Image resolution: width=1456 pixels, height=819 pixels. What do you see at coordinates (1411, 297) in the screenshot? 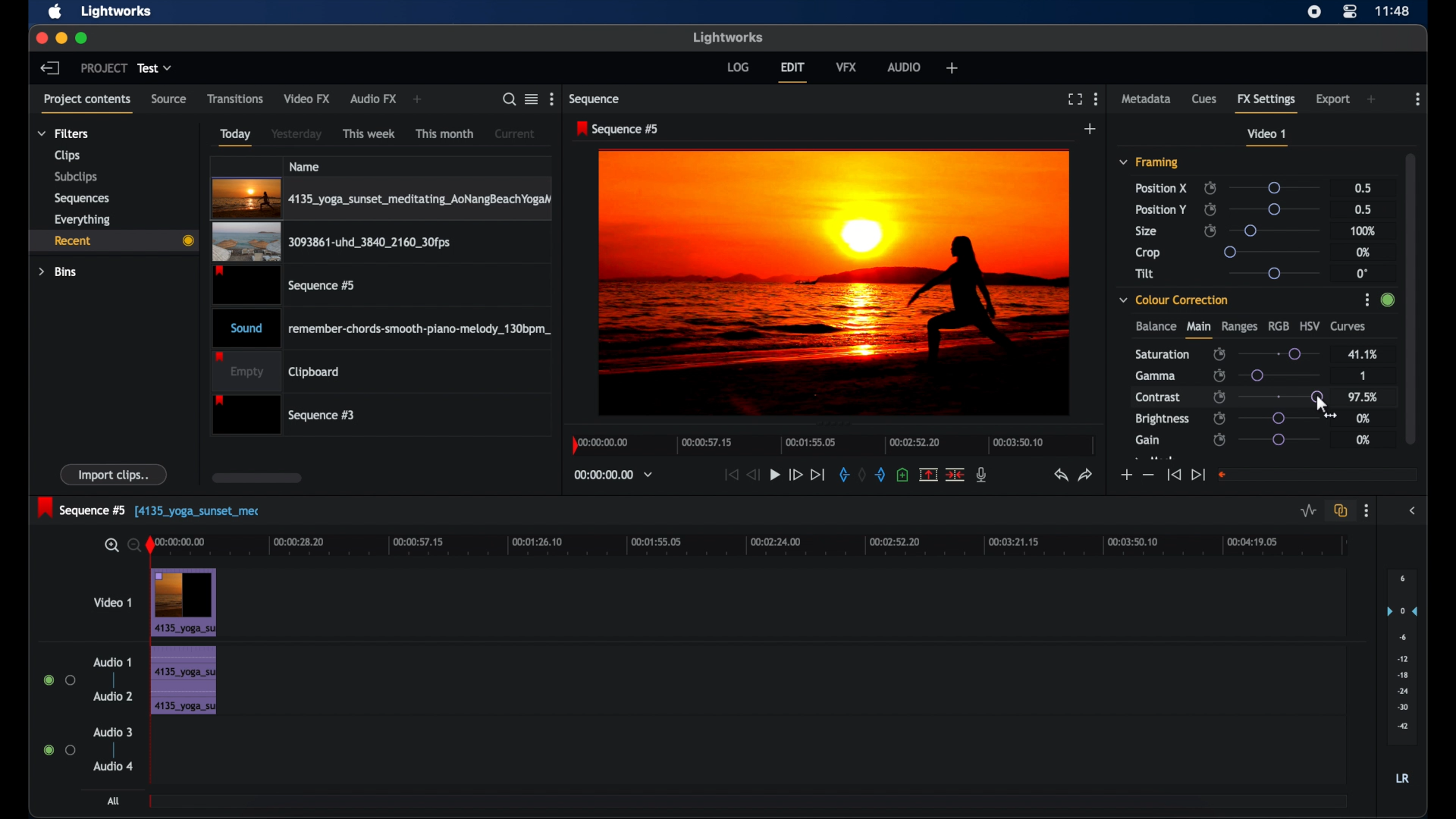
I see `scroll box` at bounding box center [1411, 297].